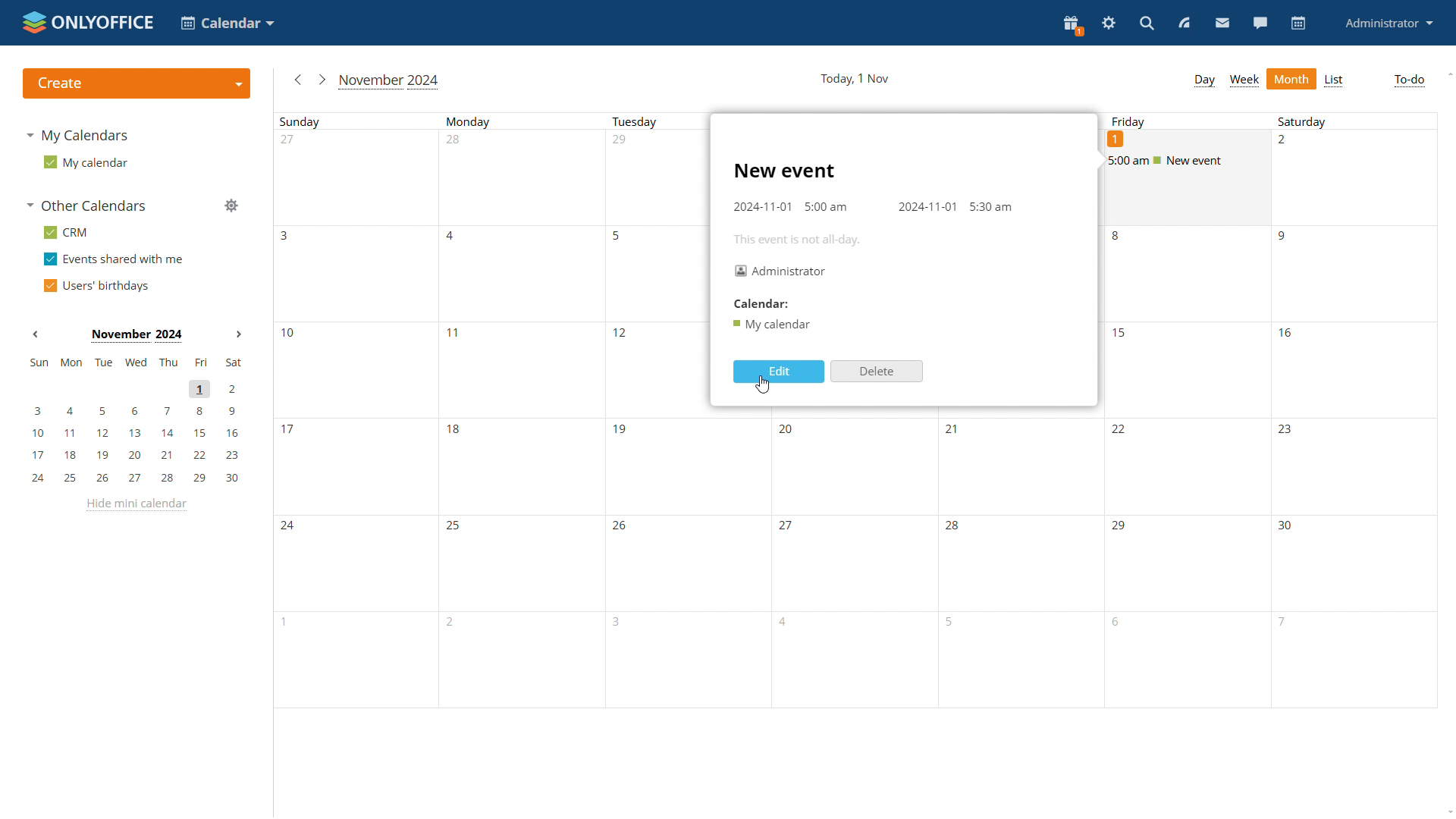  I want to click on settings, so click(1107, 24).